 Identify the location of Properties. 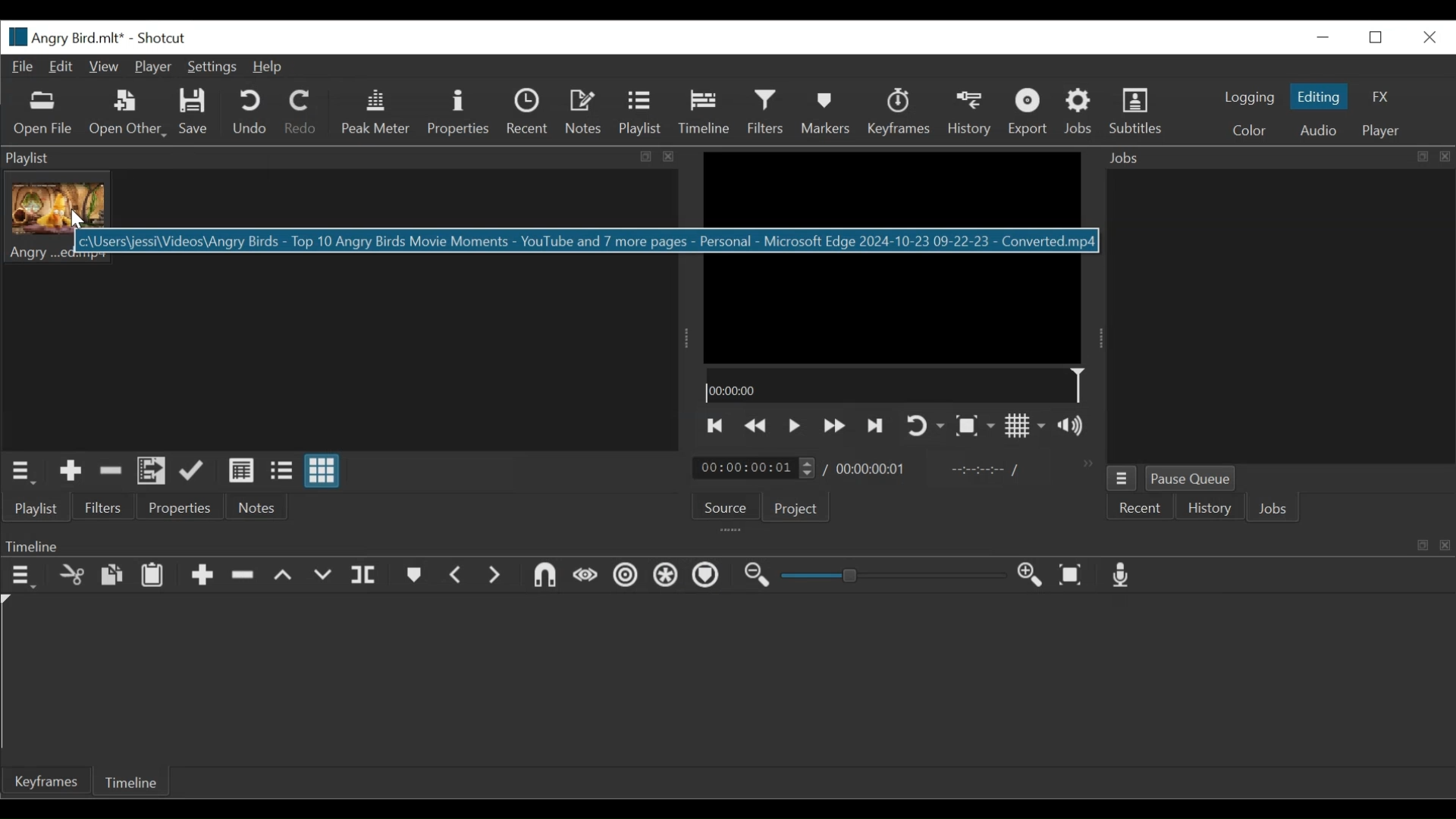
(178, 509).